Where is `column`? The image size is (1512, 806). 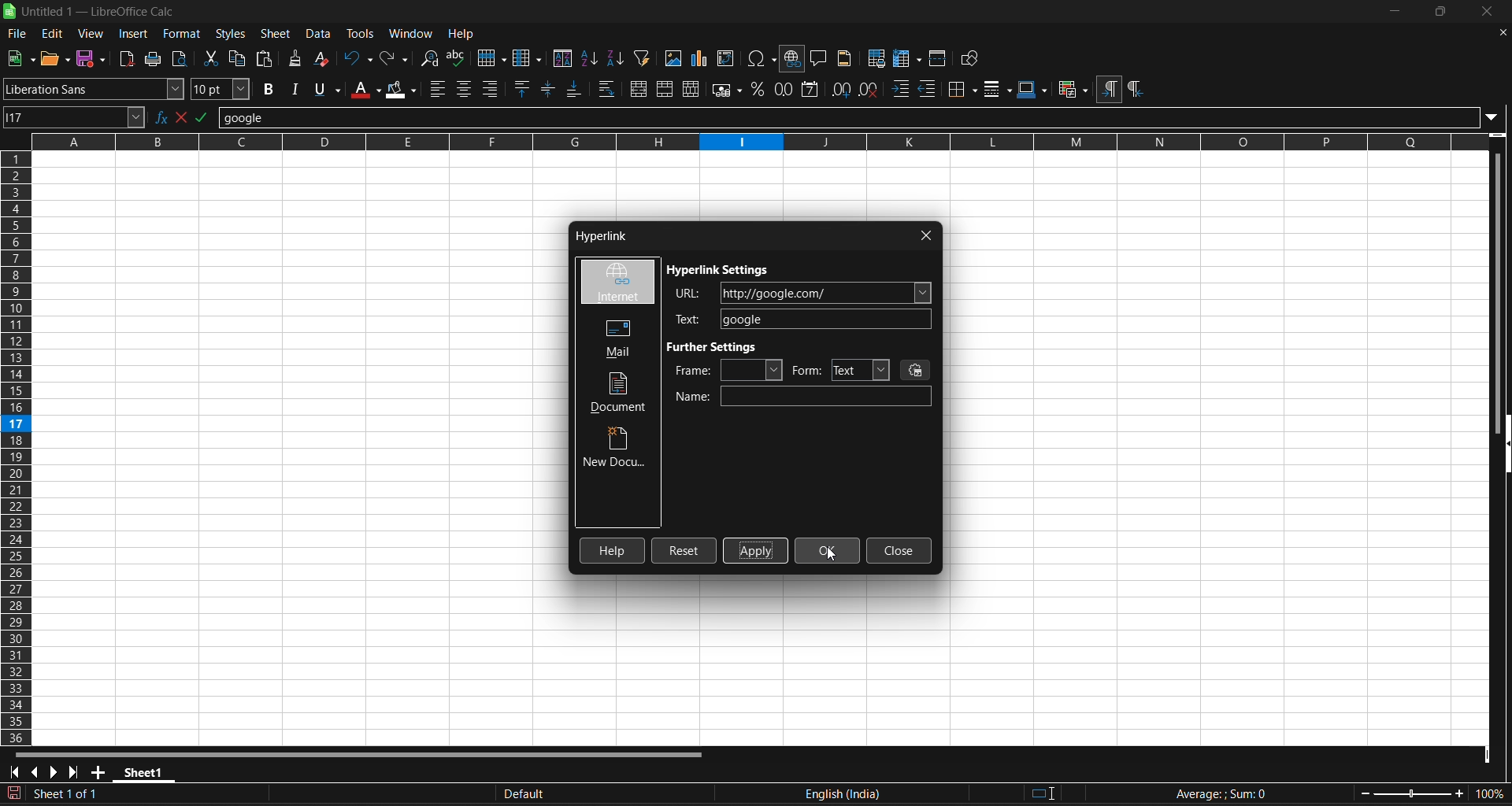
column is located at coordinates (529, 57).